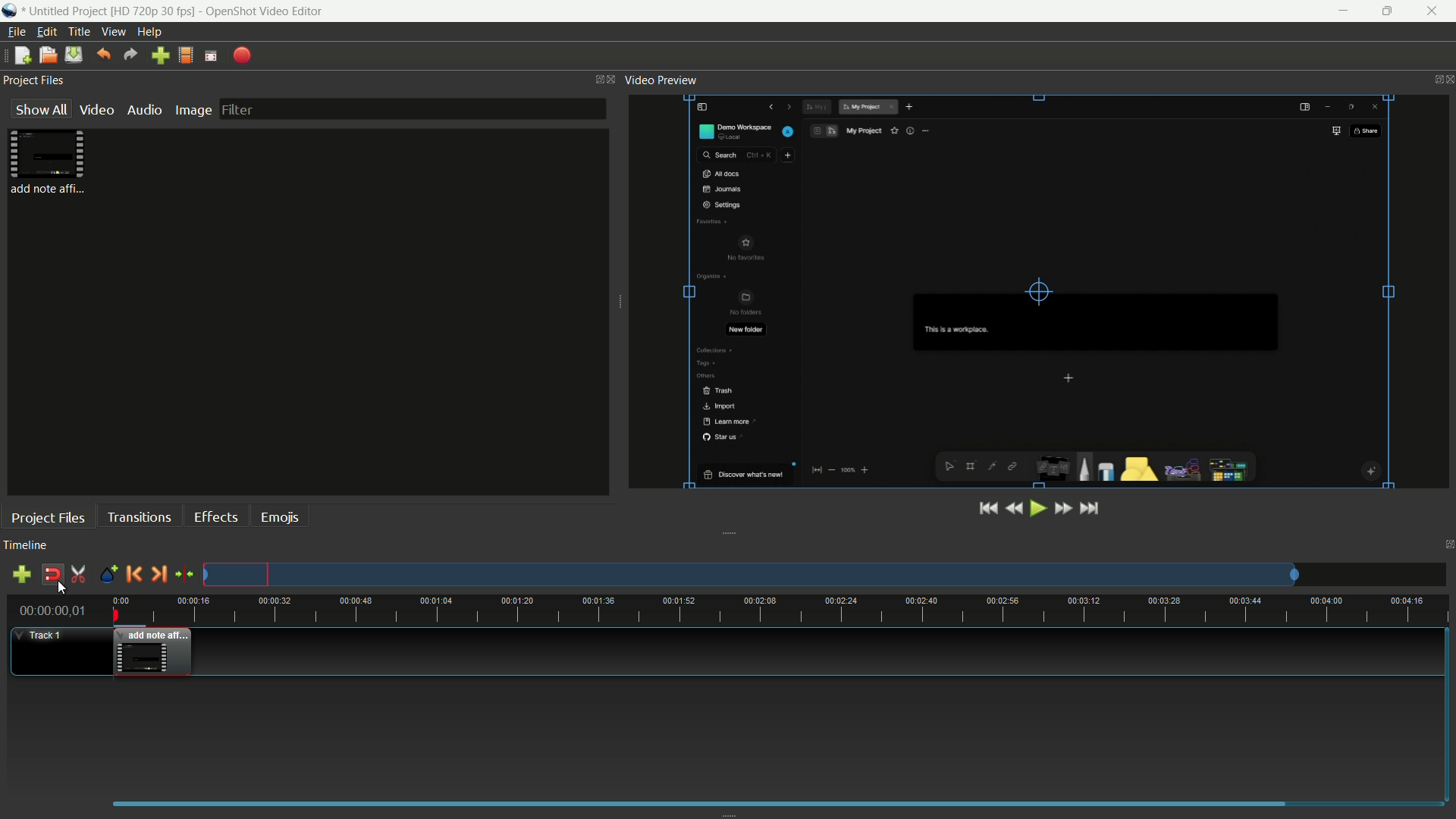 Image resolution: width=1456 pixels, height=819 pixels. What do you see at coordinates (730, 534) in the screenshot?
I see `collapse` at bounding box center [730, 534].